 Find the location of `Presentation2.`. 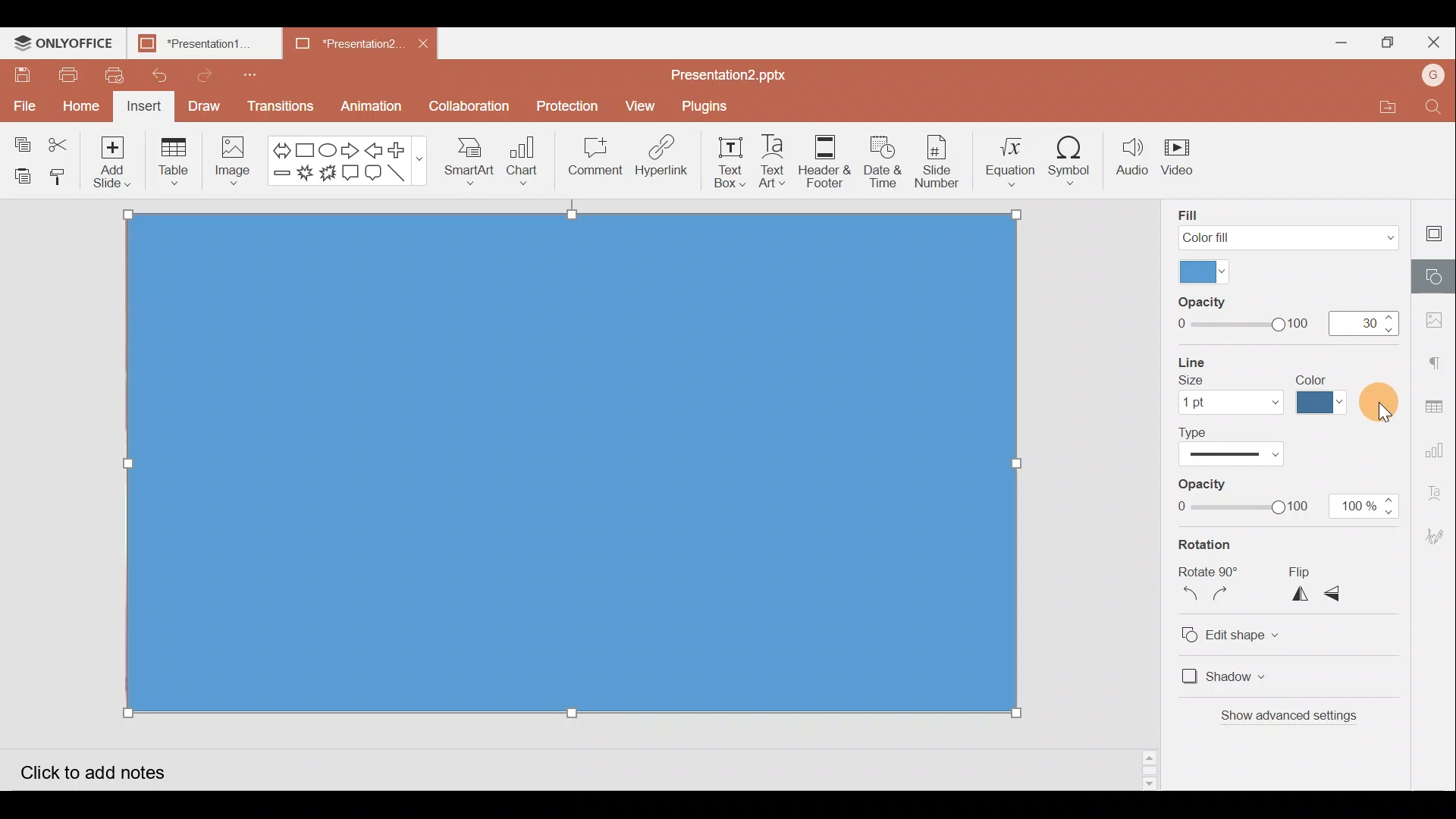

Presentation2. is located at coordinates (337, 44).